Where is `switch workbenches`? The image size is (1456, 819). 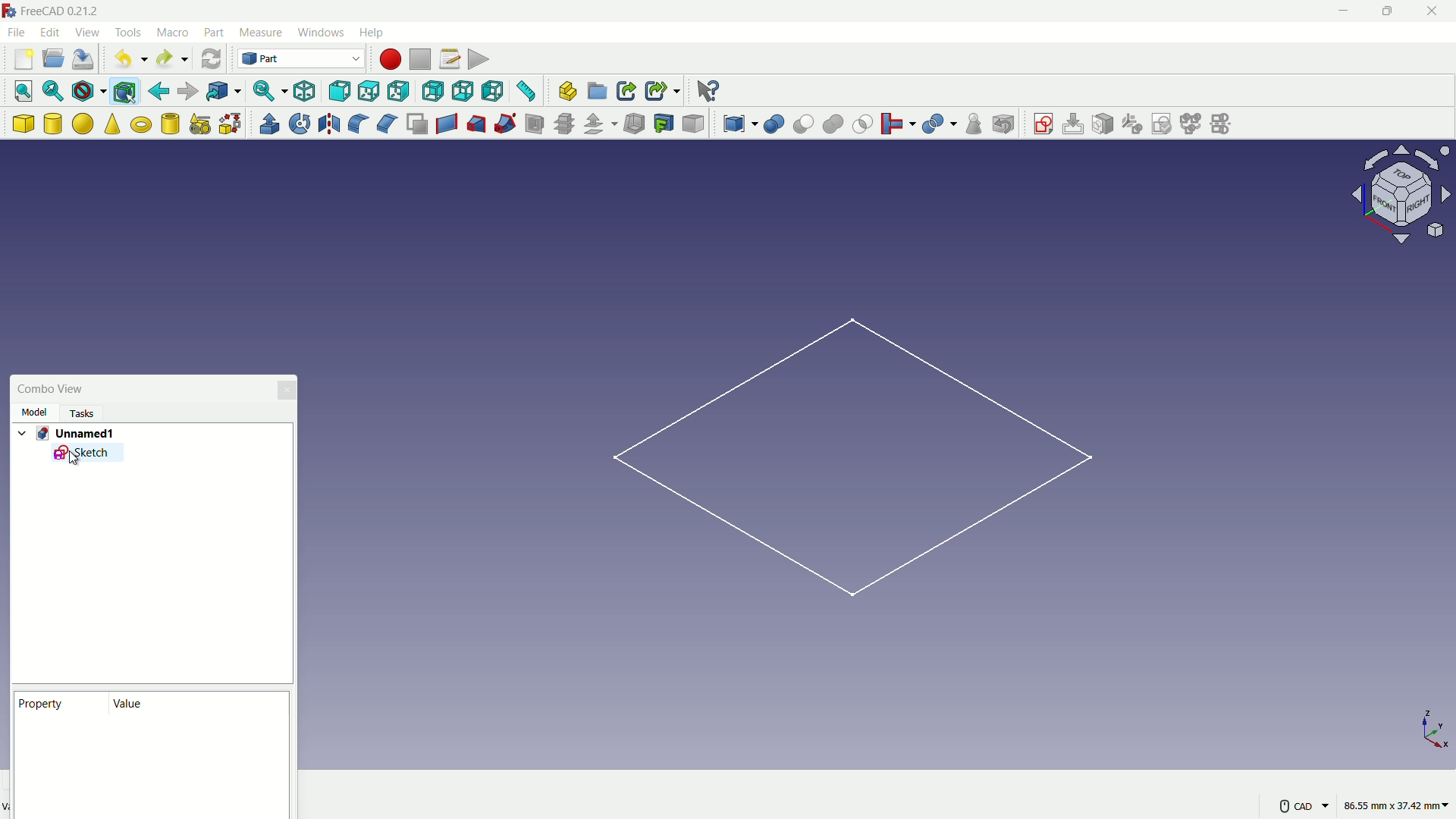 switch workbenches is located at coordinates (301, 59).